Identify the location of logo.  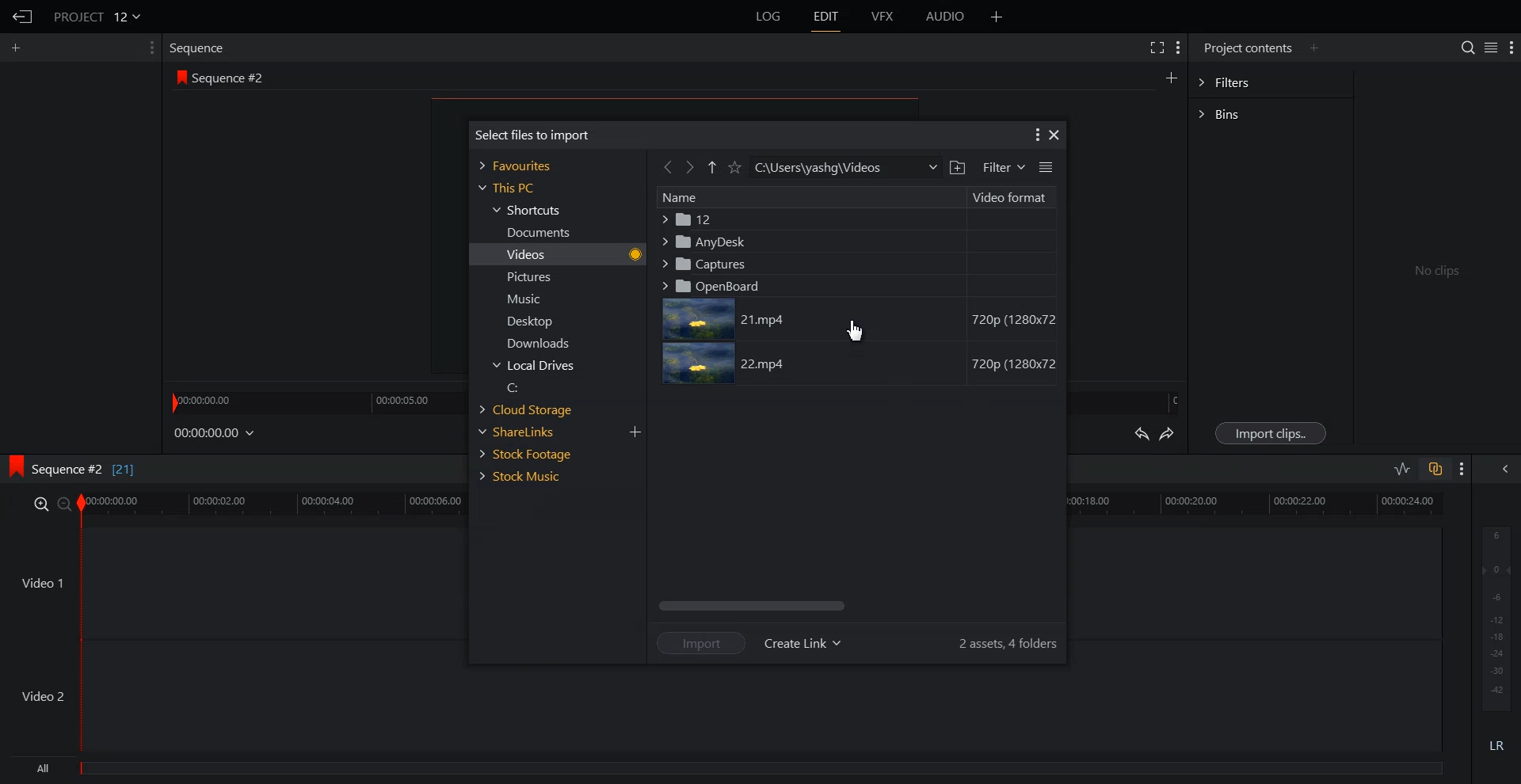
(14, 467).